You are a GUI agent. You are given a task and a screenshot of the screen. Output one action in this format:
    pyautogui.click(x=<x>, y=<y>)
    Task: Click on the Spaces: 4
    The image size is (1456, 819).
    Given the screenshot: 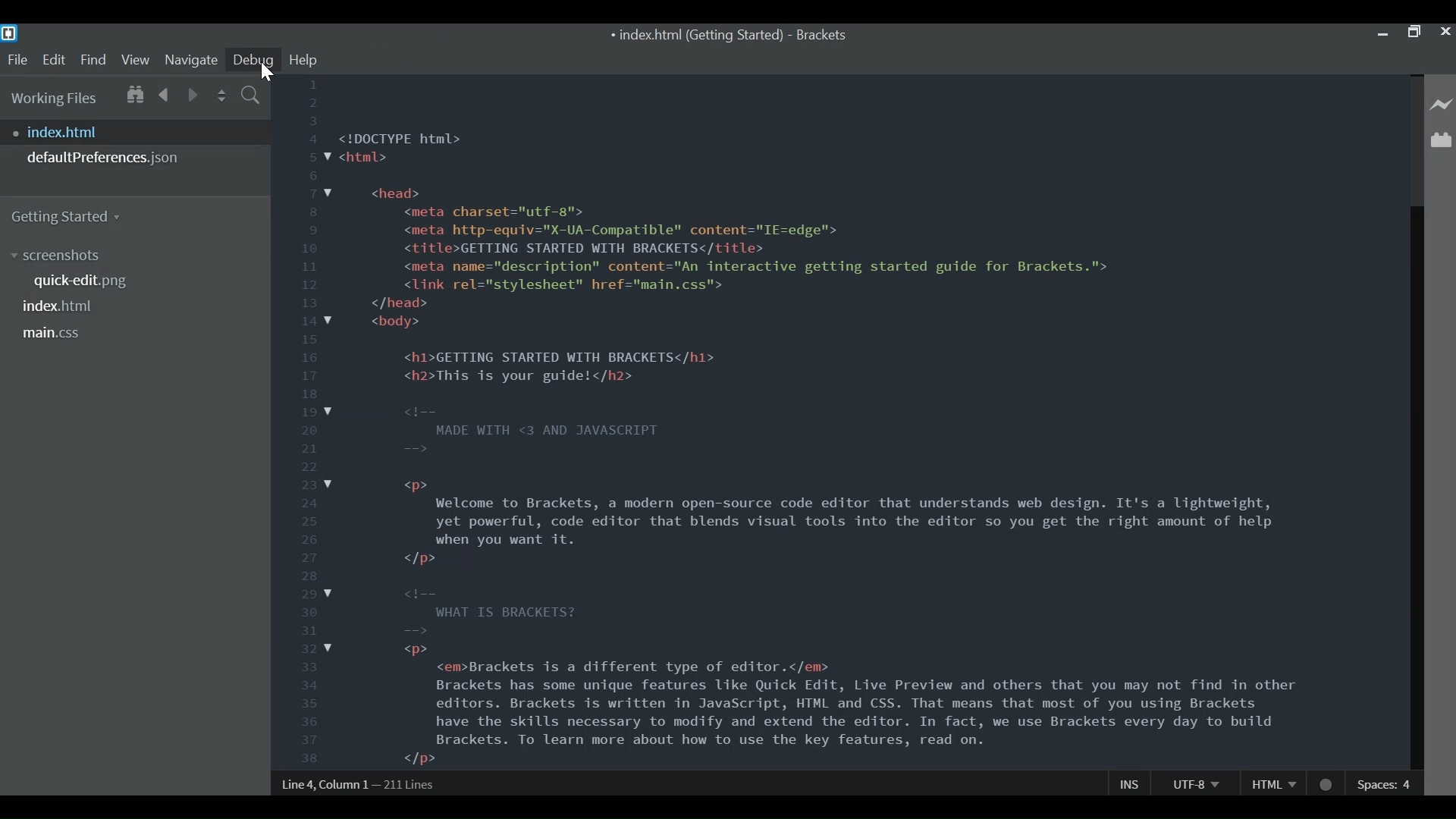 What is the action you would take?
    pyautogui.click(x=1386, y=783)
    